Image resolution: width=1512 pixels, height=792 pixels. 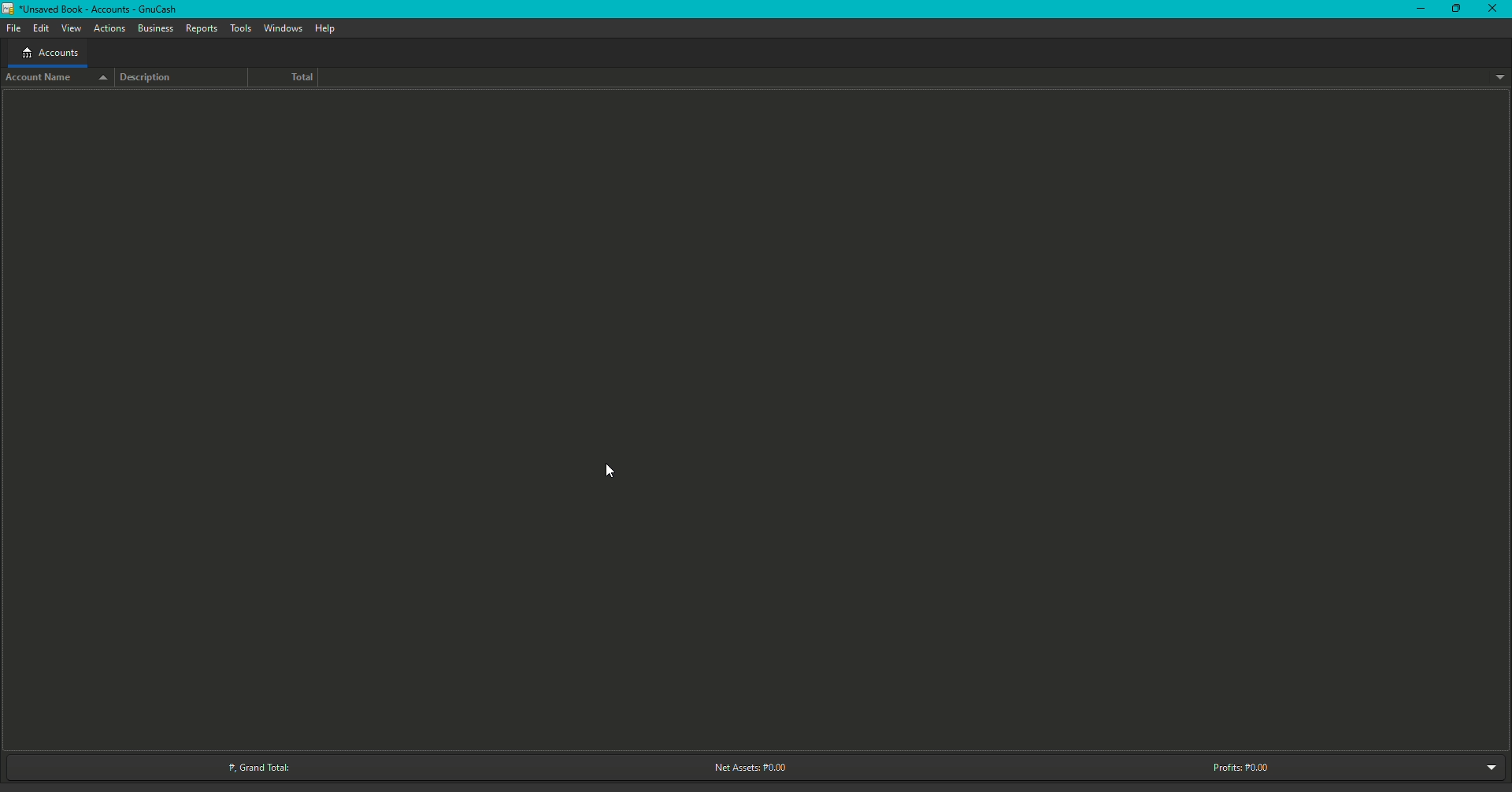 What do you see at coordinates (603, 468) in the screenshot?
I see `Cursor` at bounding box center [603, 468].